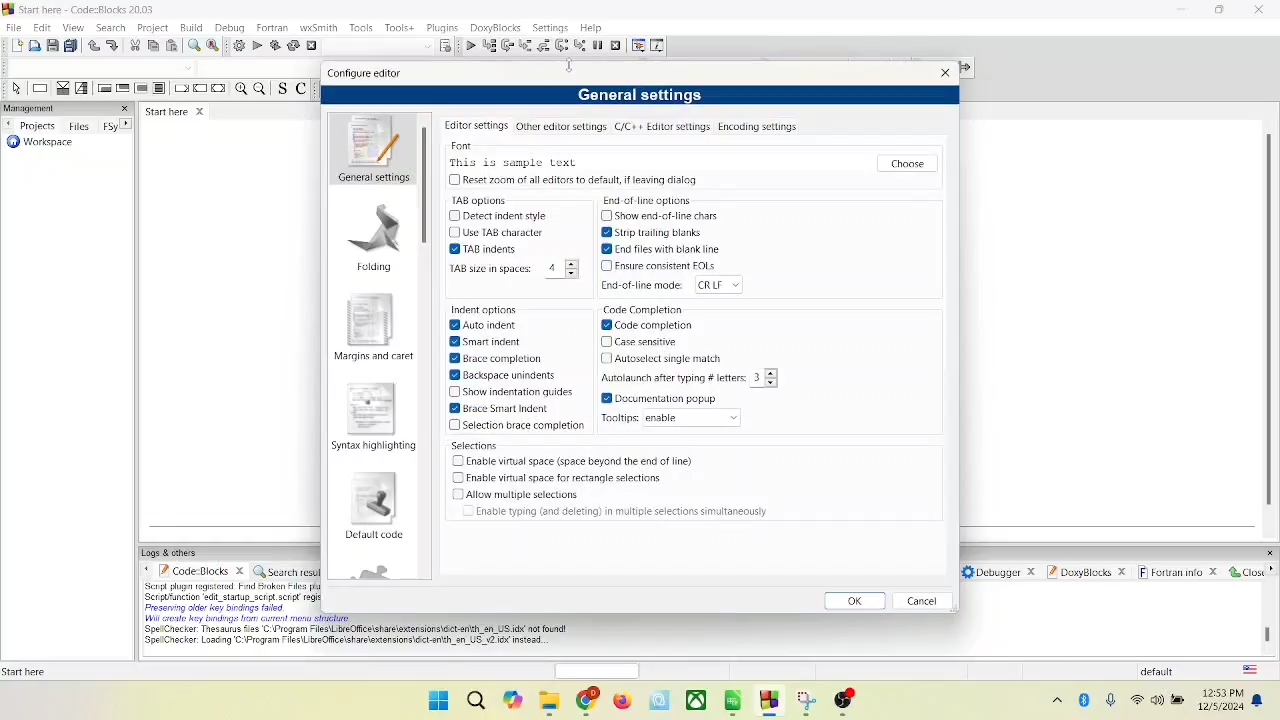 The width and height of the screenshot is (1280, 720). What do you see at coordinates (438, 701) in the screenshot?
I see `windows` at bounding box center [438, 701].